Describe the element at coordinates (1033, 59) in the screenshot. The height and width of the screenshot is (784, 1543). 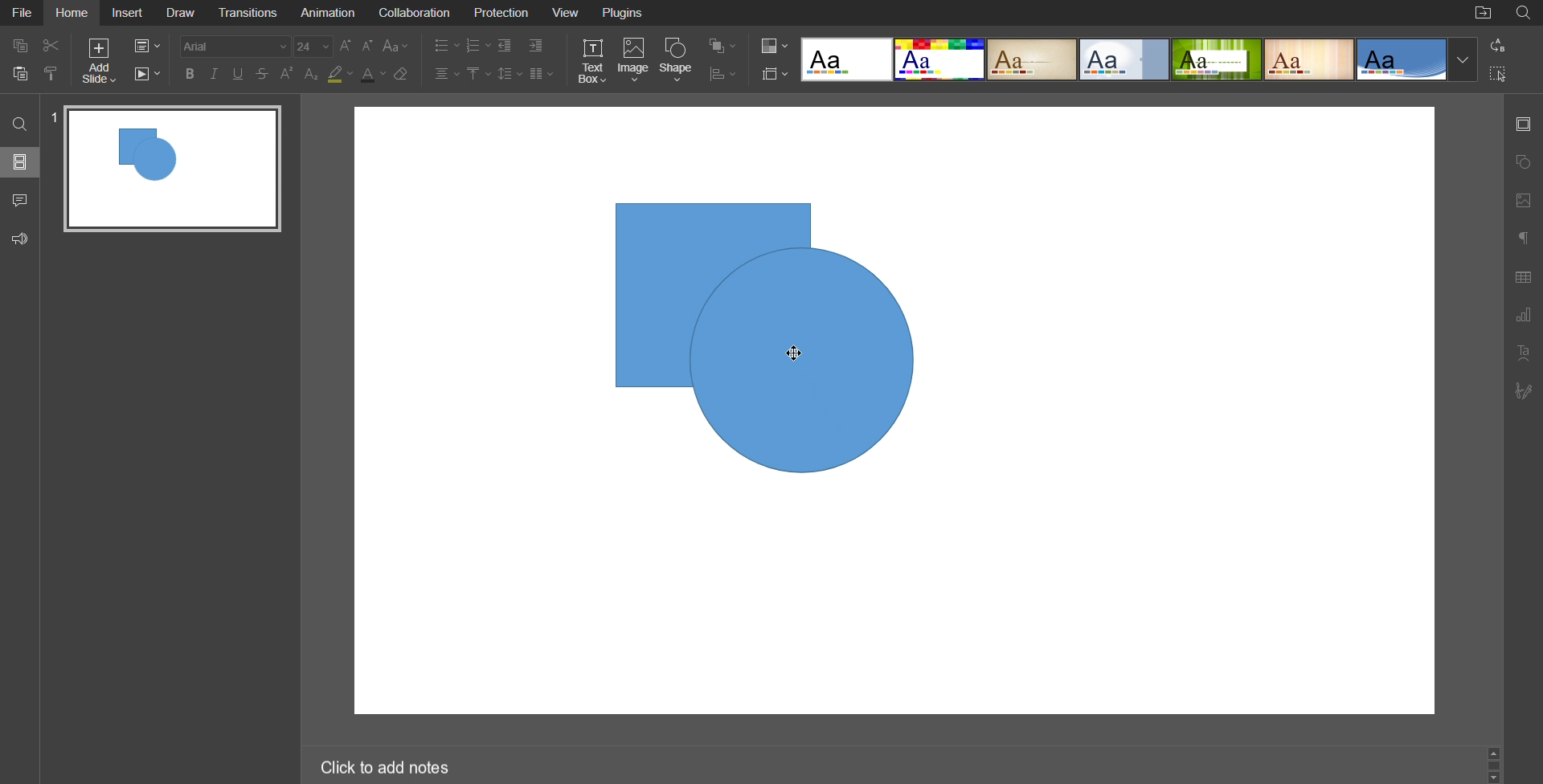
I see `Classic` at that location.